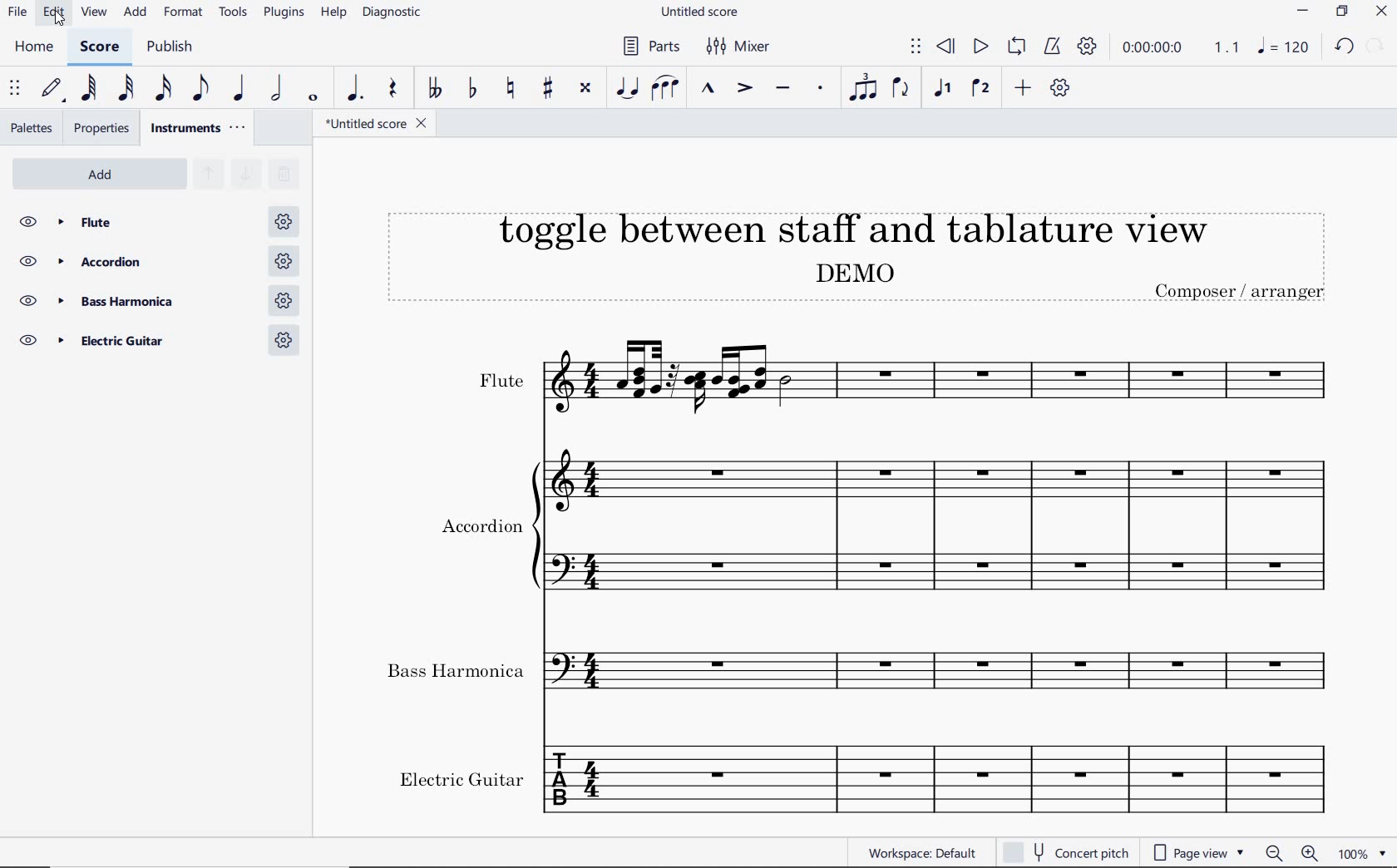 Image resolution: width=1397 pixels, height=868 pixels. I want to click on NOTE, so click(1284, 49).